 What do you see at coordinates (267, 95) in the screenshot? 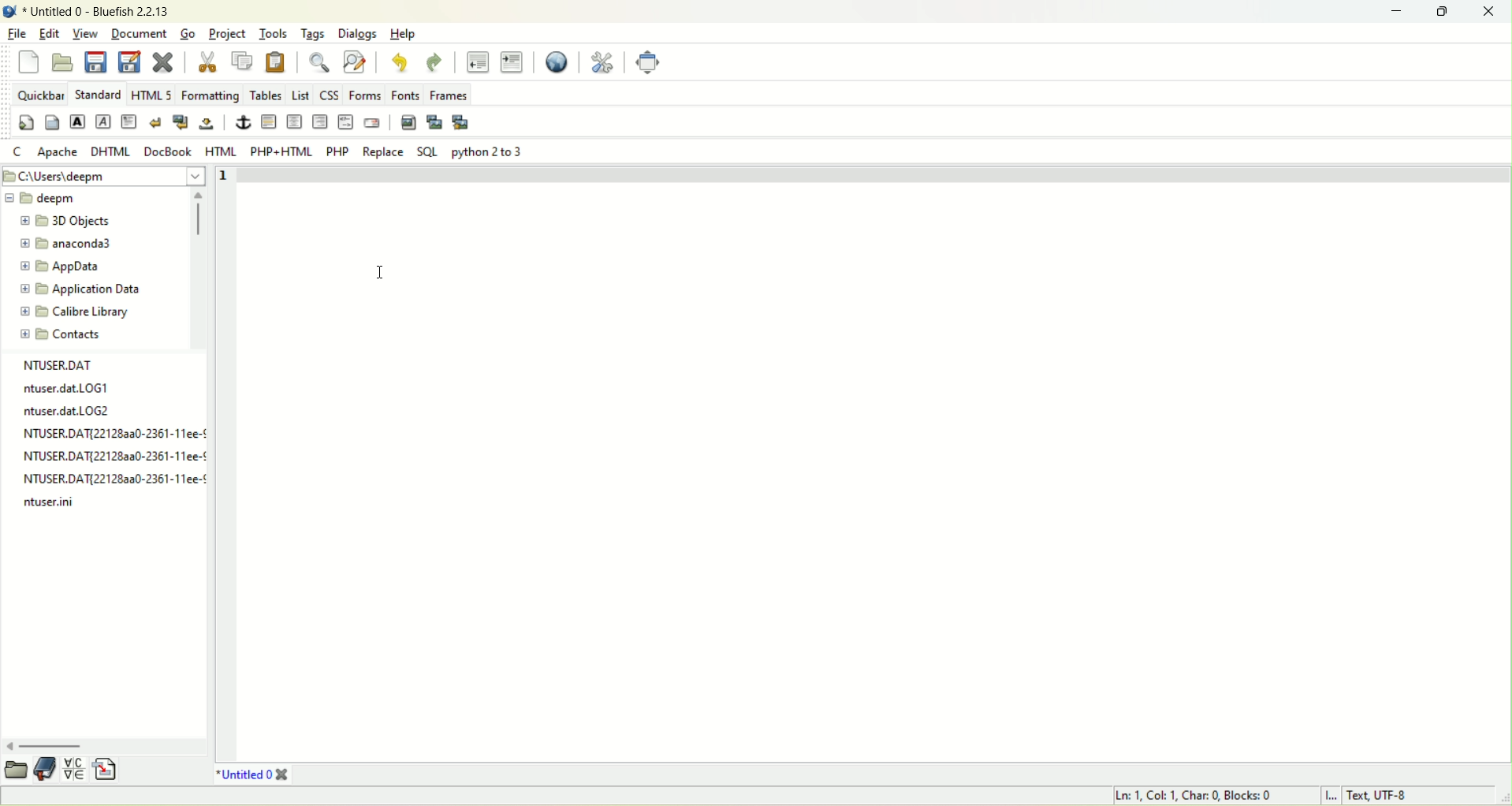
I see `tables` at bounding box center [267, 95].